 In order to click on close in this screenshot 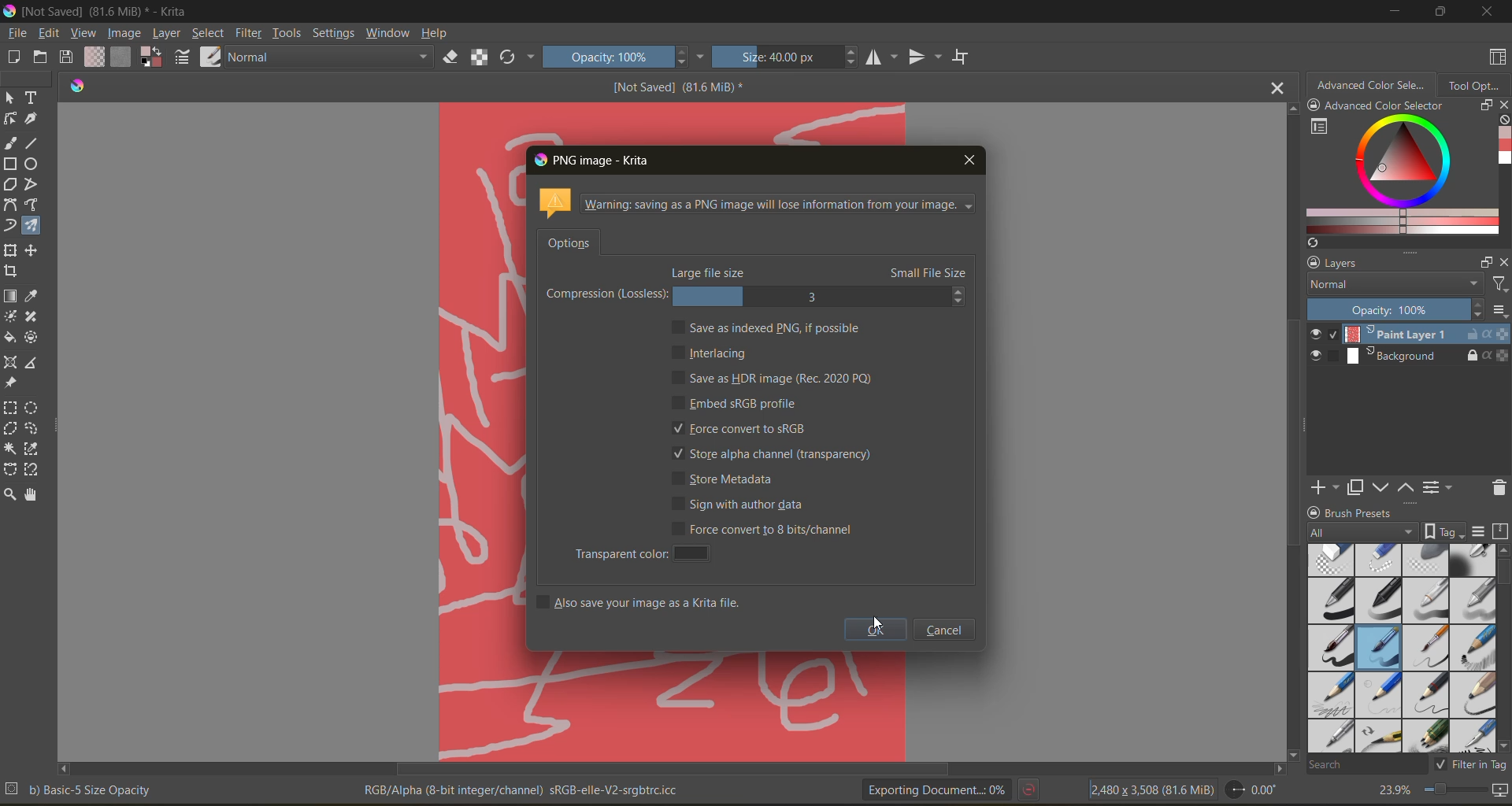, I will do `click(969, 161)`.